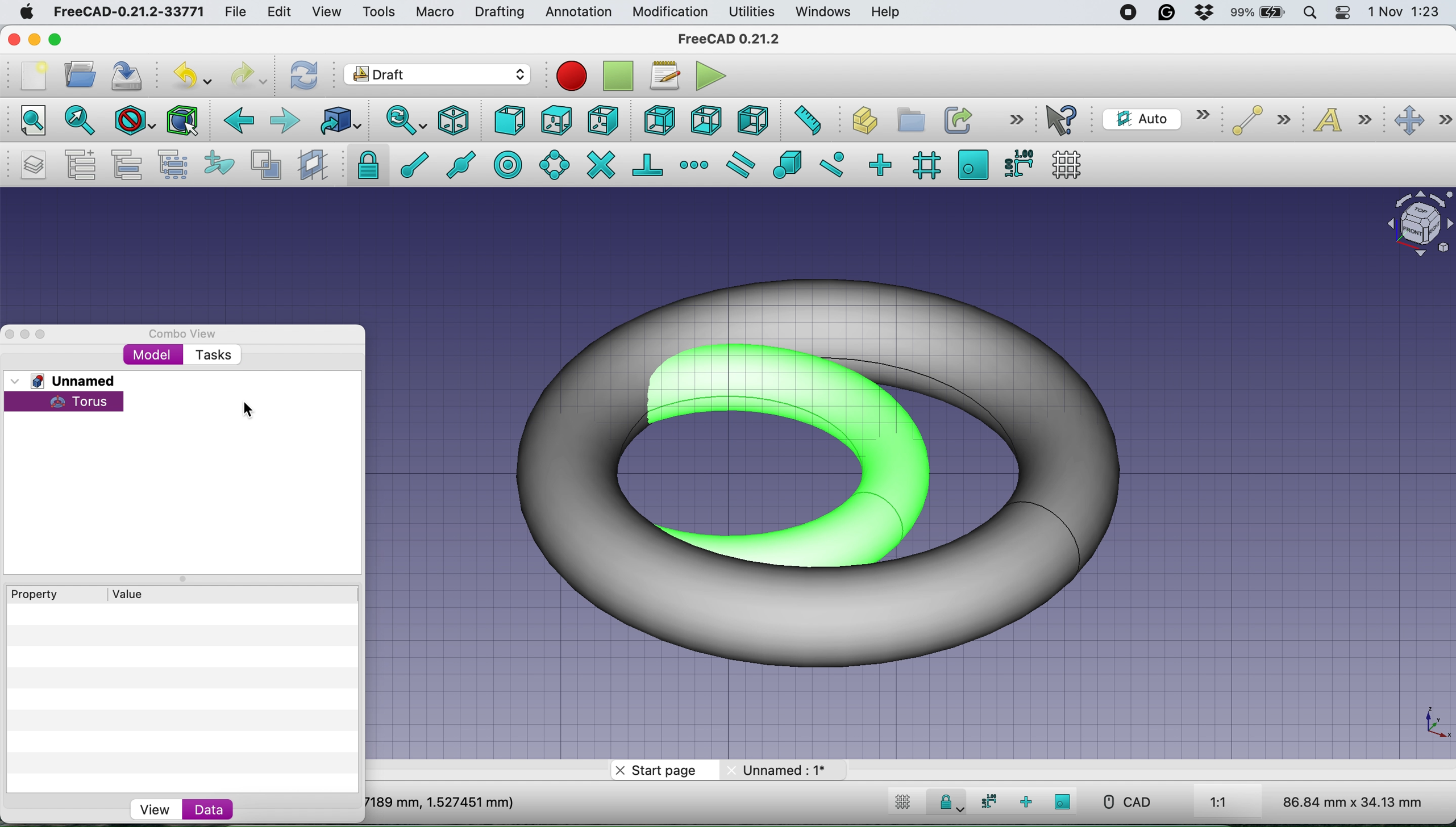 The height and width of the screenshot is (827, 1456). What do you see at coordinates (711, 76) in the screenshot?
I see `execute macros` at bounding box center [711, 76].